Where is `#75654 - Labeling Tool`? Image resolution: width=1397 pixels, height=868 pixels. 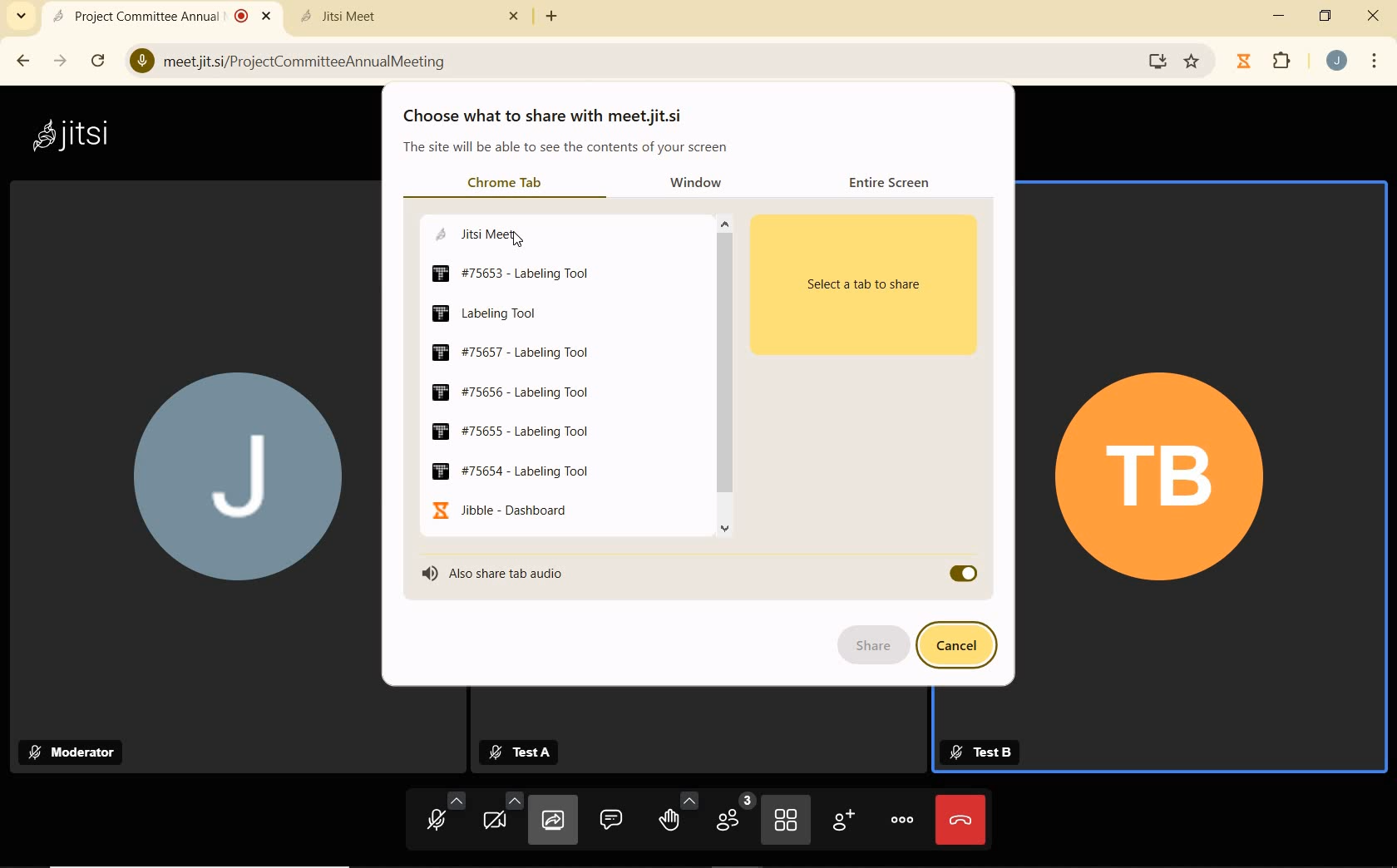
#75654 - Labeling Tool is located at coordinates (511, 471).